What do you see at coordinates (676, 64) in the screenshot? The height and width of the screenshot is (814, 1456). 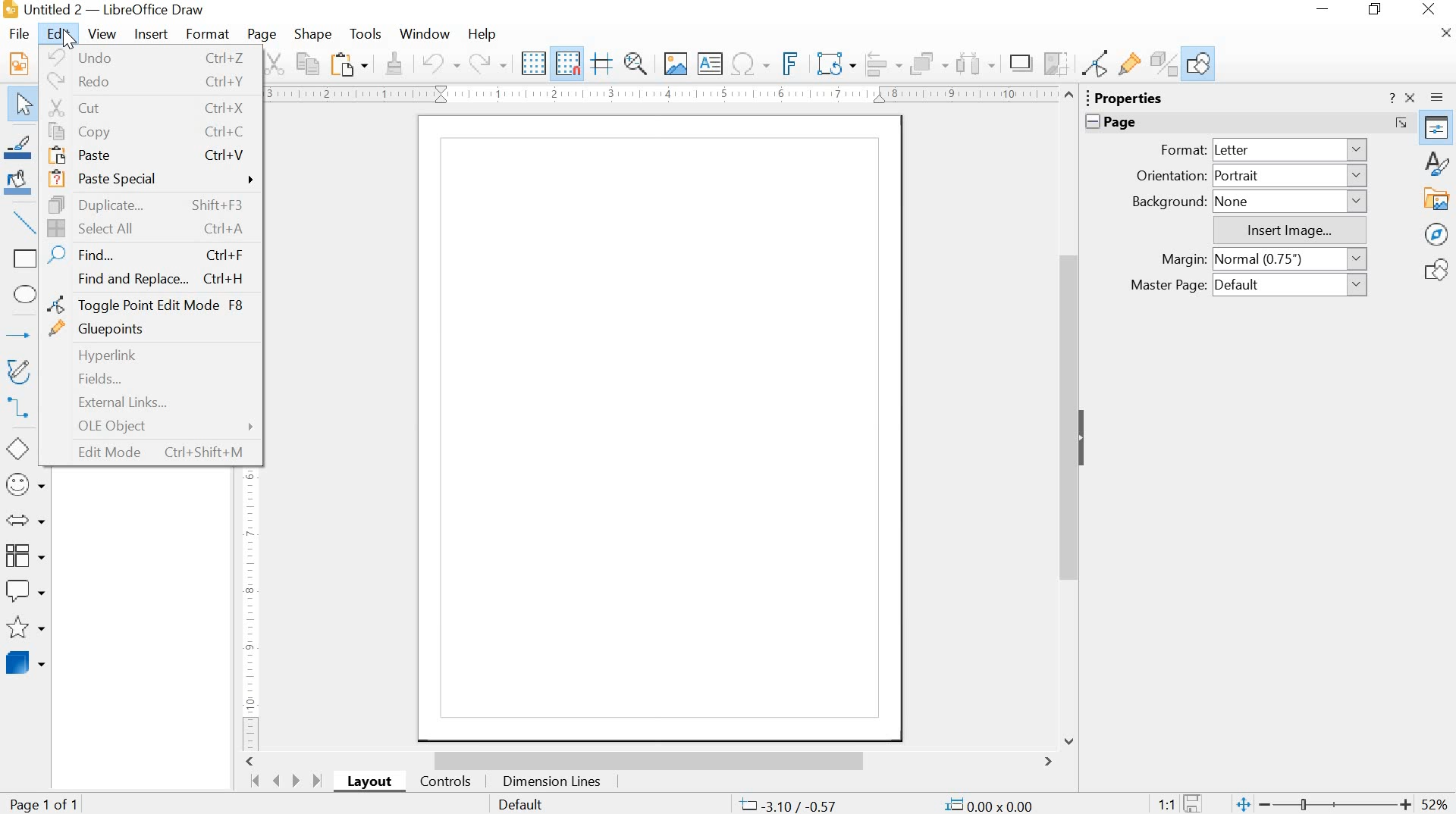 I see `Insert Image` at bounding box center [676, 64].